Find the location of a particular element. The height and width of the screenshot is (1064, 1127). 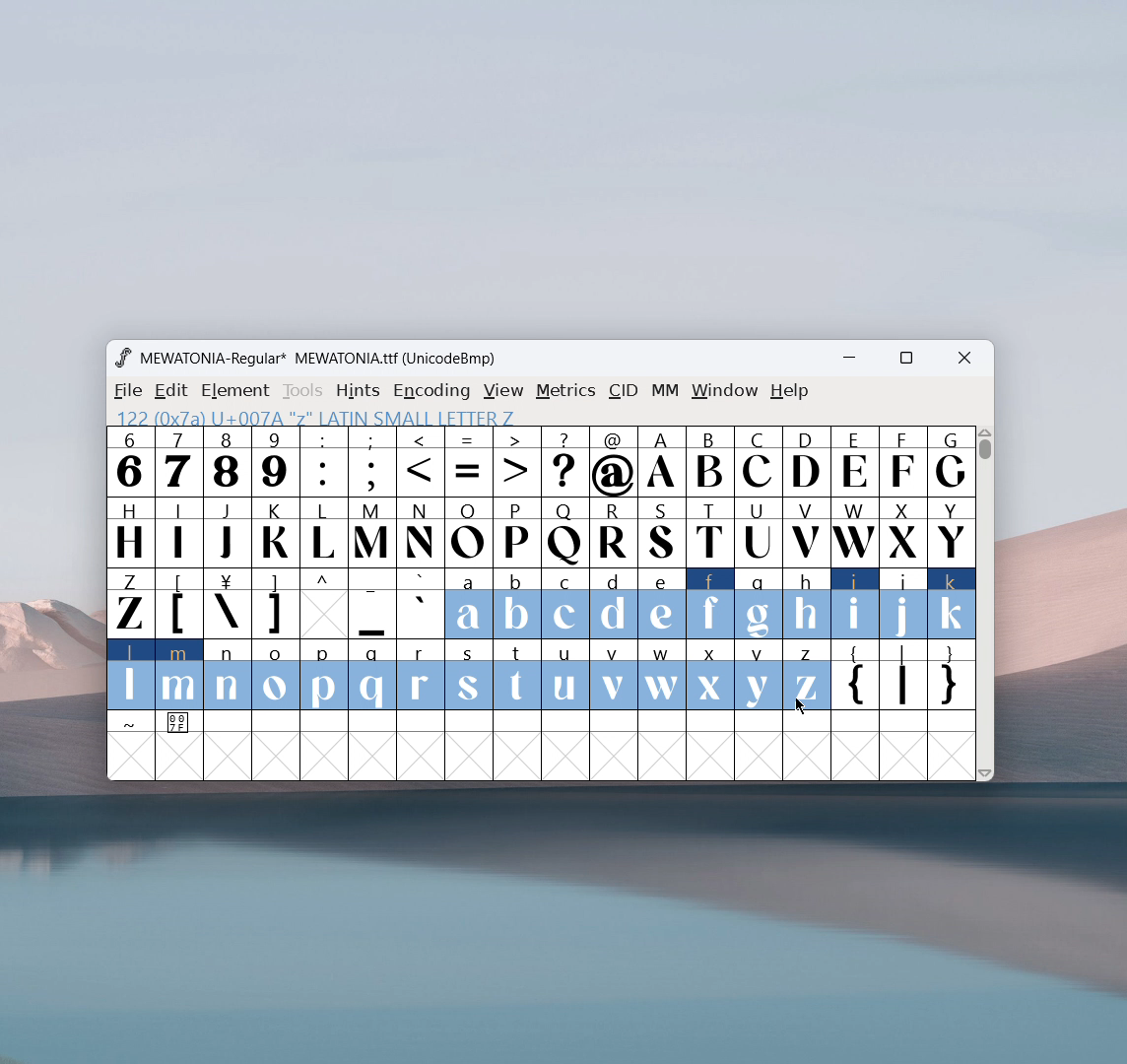

7 is located at coordinates (177, 461).